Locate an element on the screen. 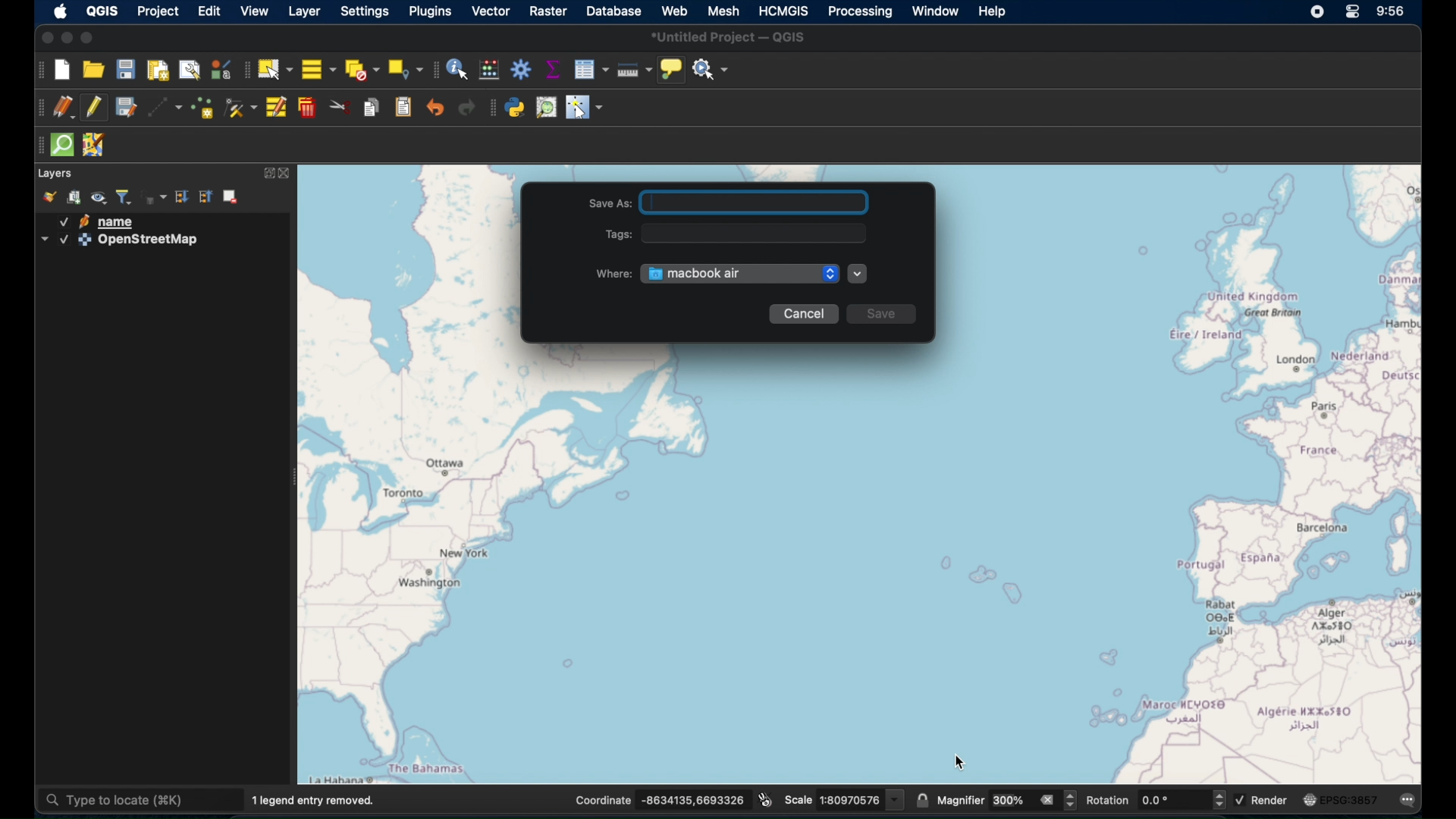 The height and width of the screenshot is (819, 1456). remove layer/group is located at coordinates (234, 196).